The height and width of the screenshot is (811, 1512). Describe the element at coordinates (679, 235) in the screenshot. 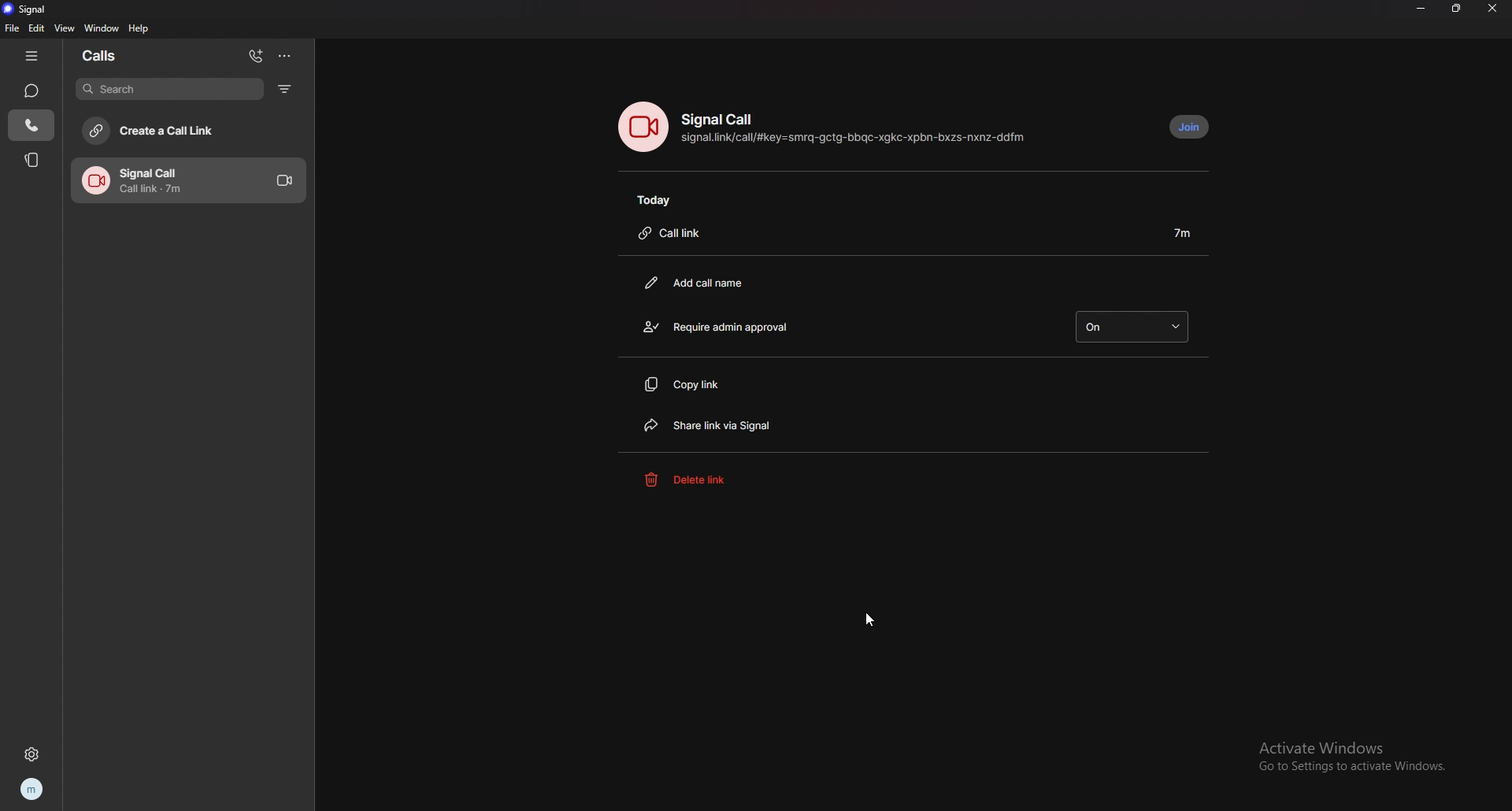

I see `call link` at that location.